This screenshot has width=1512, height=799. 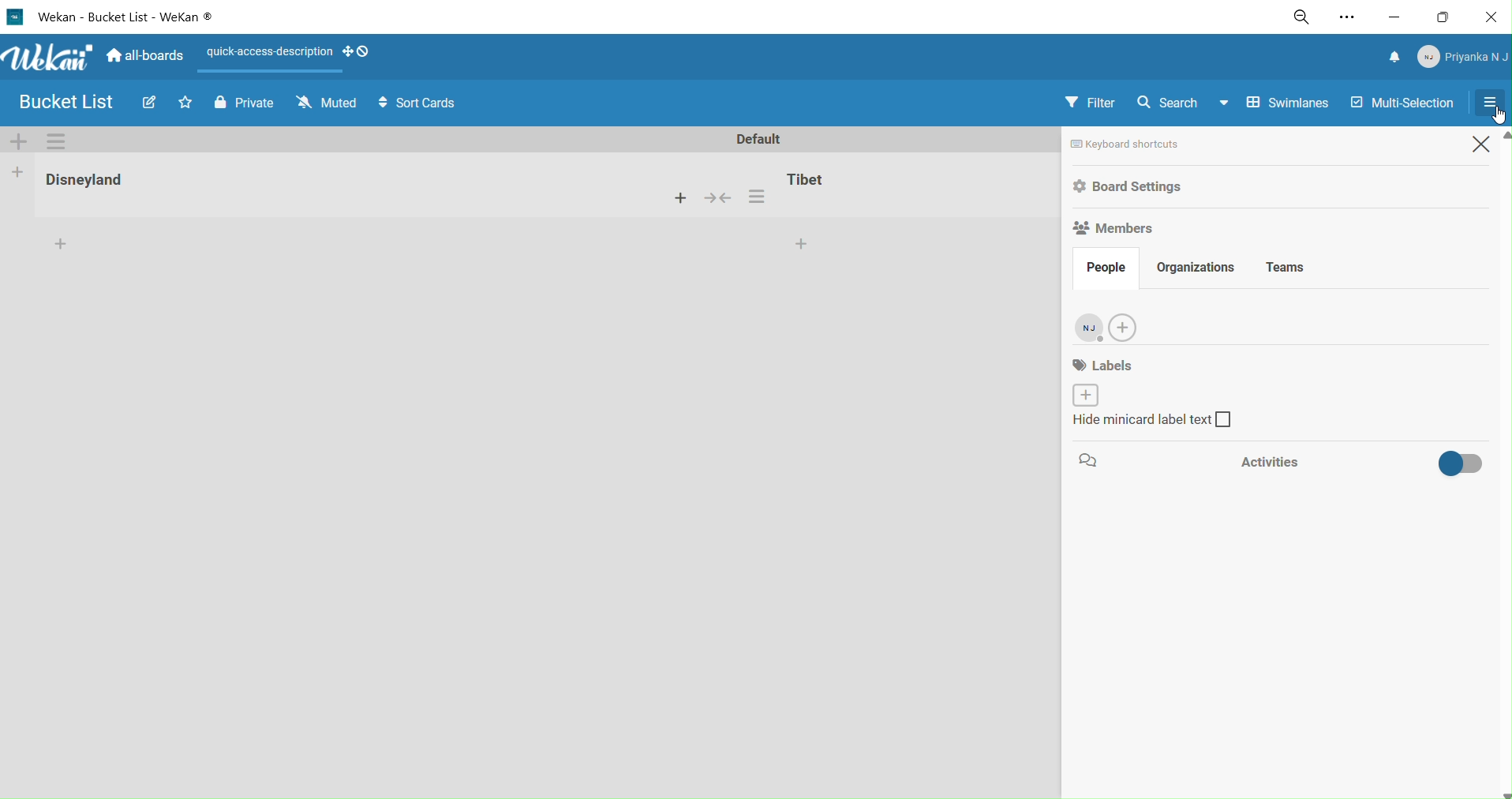 I want to click on logo, so click(x=16, y=17).